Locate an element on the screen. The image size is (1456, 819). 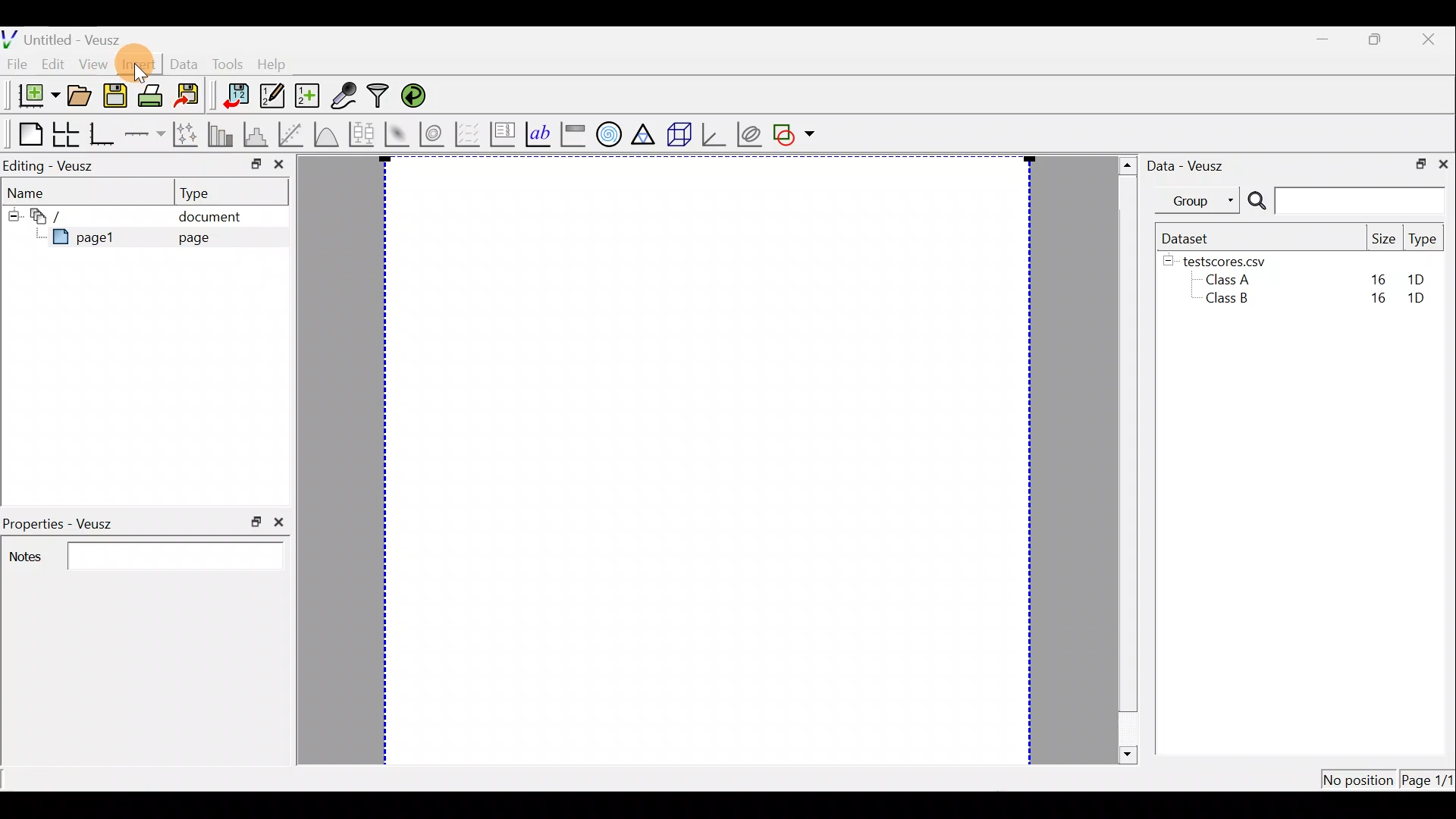
hide is located at coordinates (1169, 262).